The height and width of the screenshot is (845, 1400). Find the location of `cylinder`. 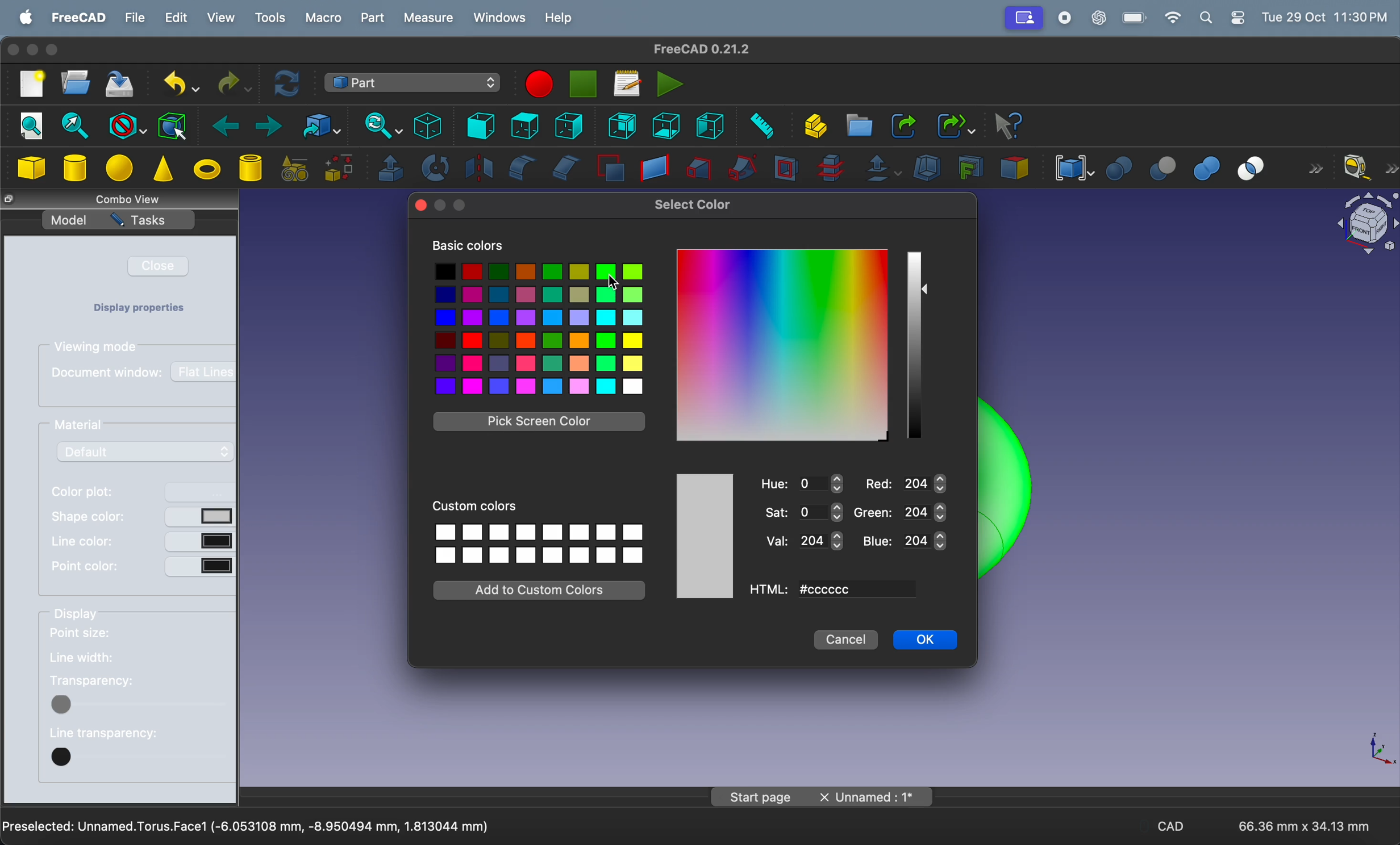

cylinder is located at coordinates (252, 169).